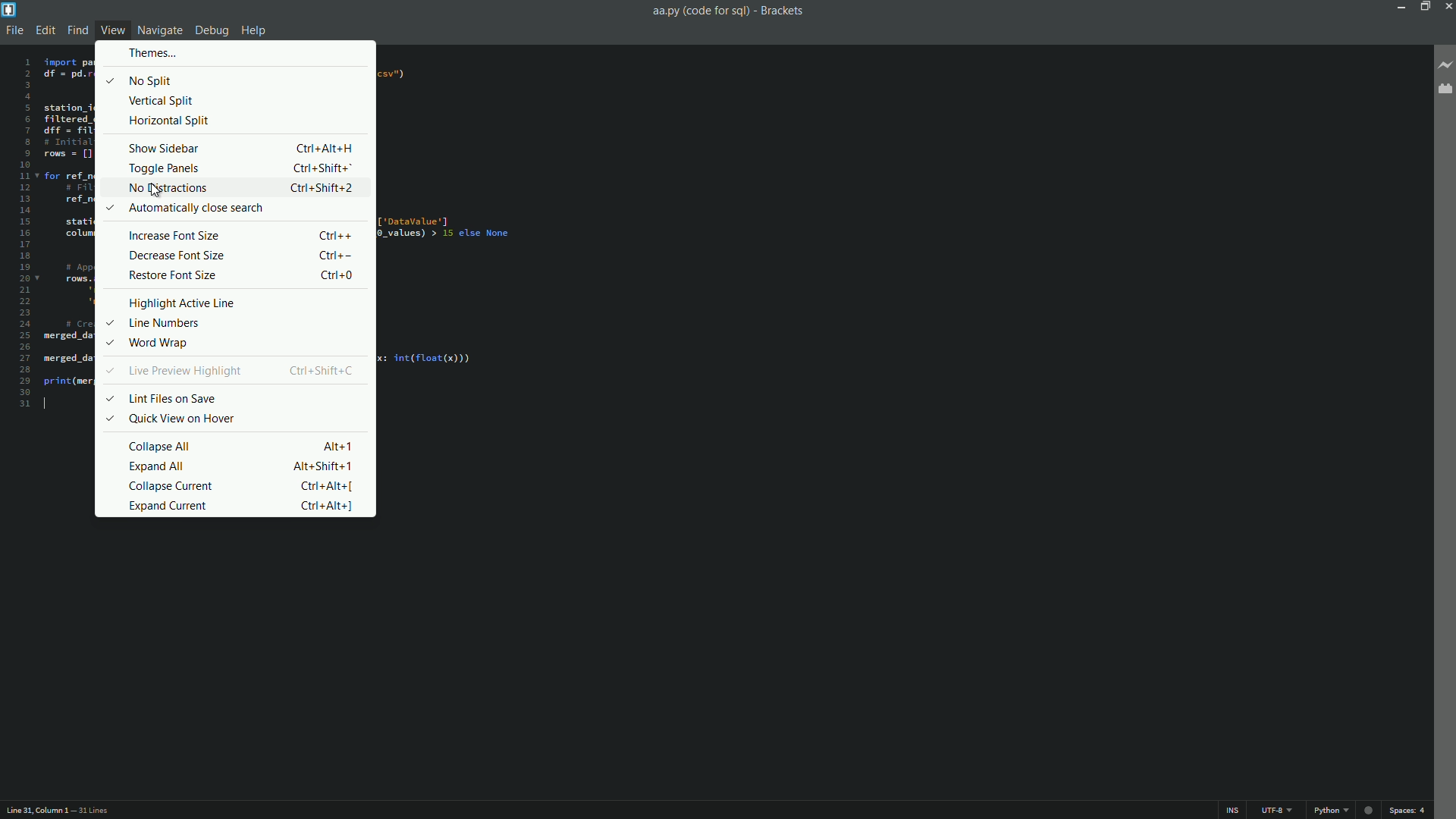 The height and width of the screenshot is (819, 1456). I want to click on Selected, so click(106, 206).